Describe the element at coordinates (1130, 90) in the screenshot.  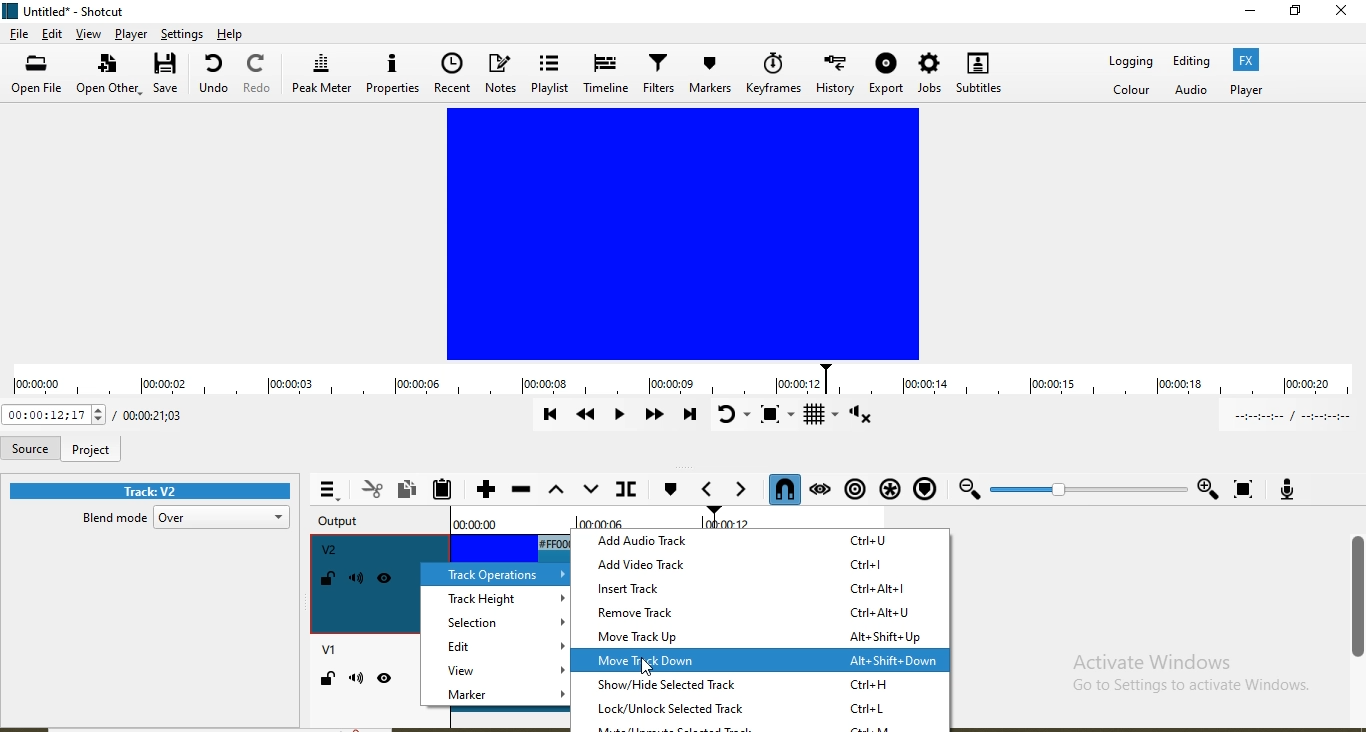
I see `Color` at that location.